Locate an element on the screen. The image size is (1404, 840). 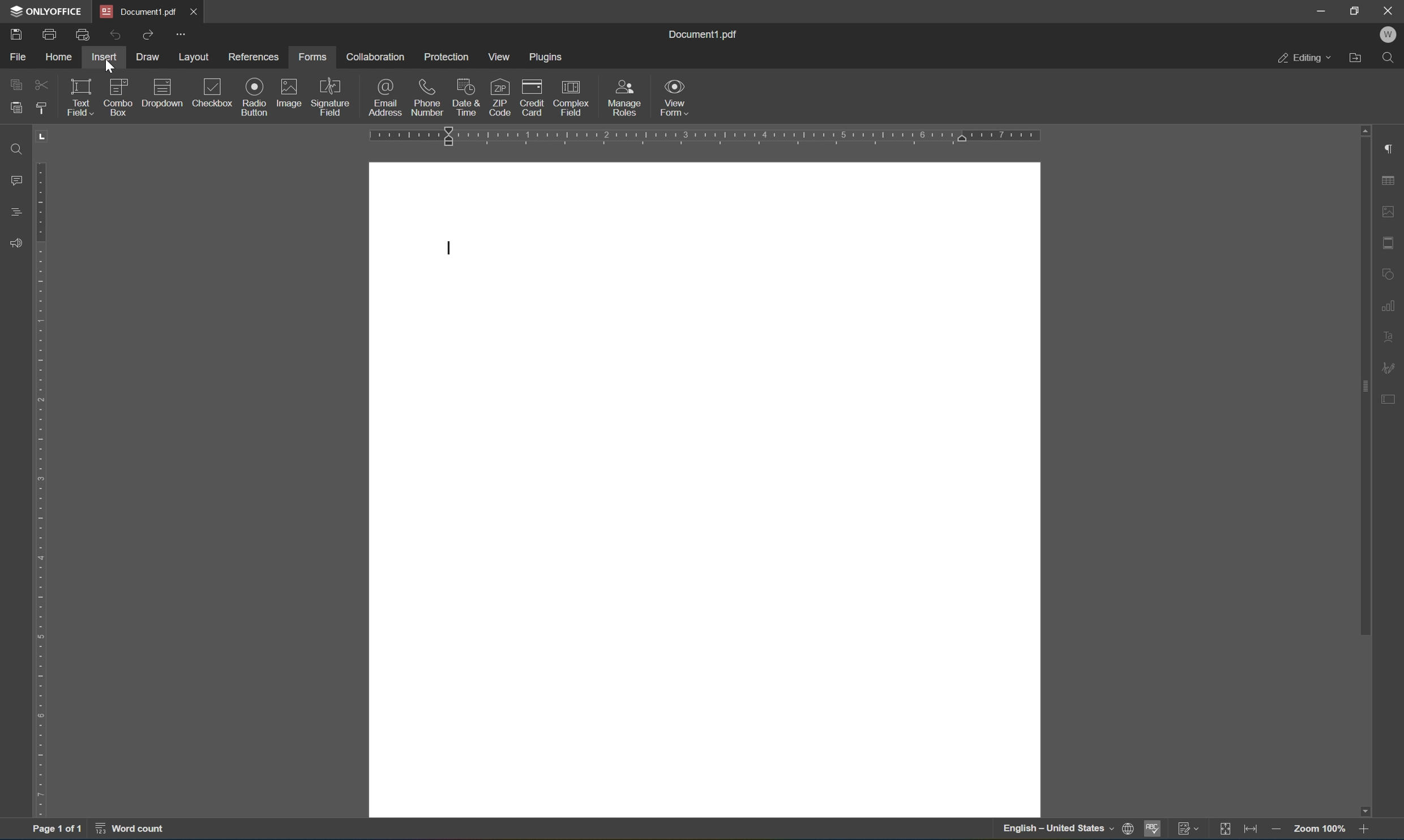
image settings is located at coordinates (1389, 209).